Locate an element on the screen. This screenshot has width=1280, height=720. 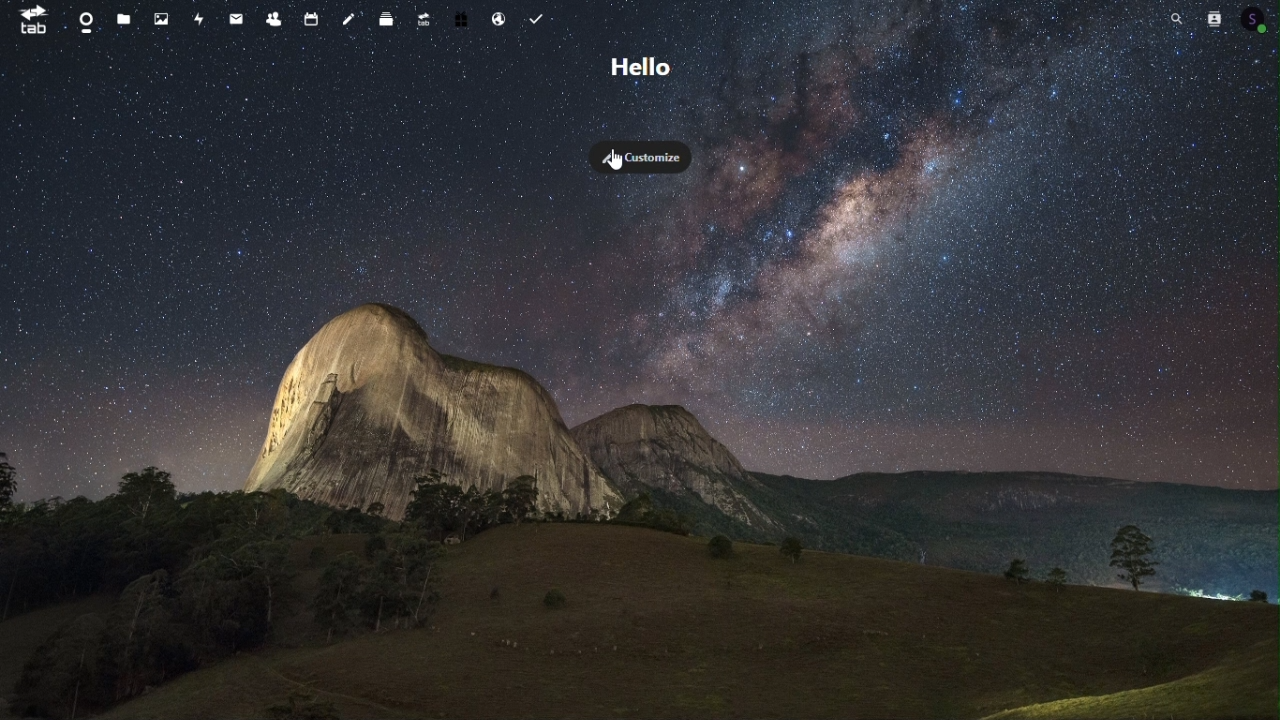
cursor is located at coordinates (616, 166).